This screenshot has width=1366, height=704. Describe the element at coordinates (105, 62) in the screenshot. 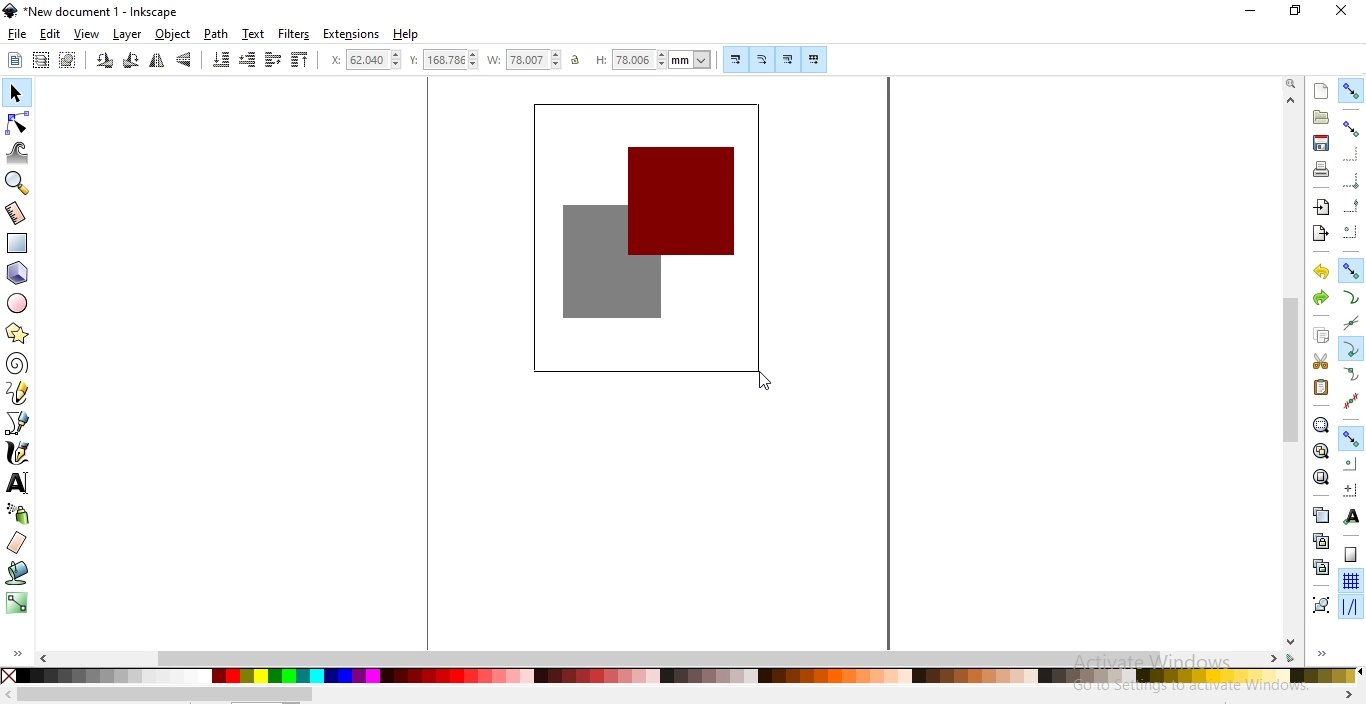

I see `rotate 90 counter clockwise` at that location.